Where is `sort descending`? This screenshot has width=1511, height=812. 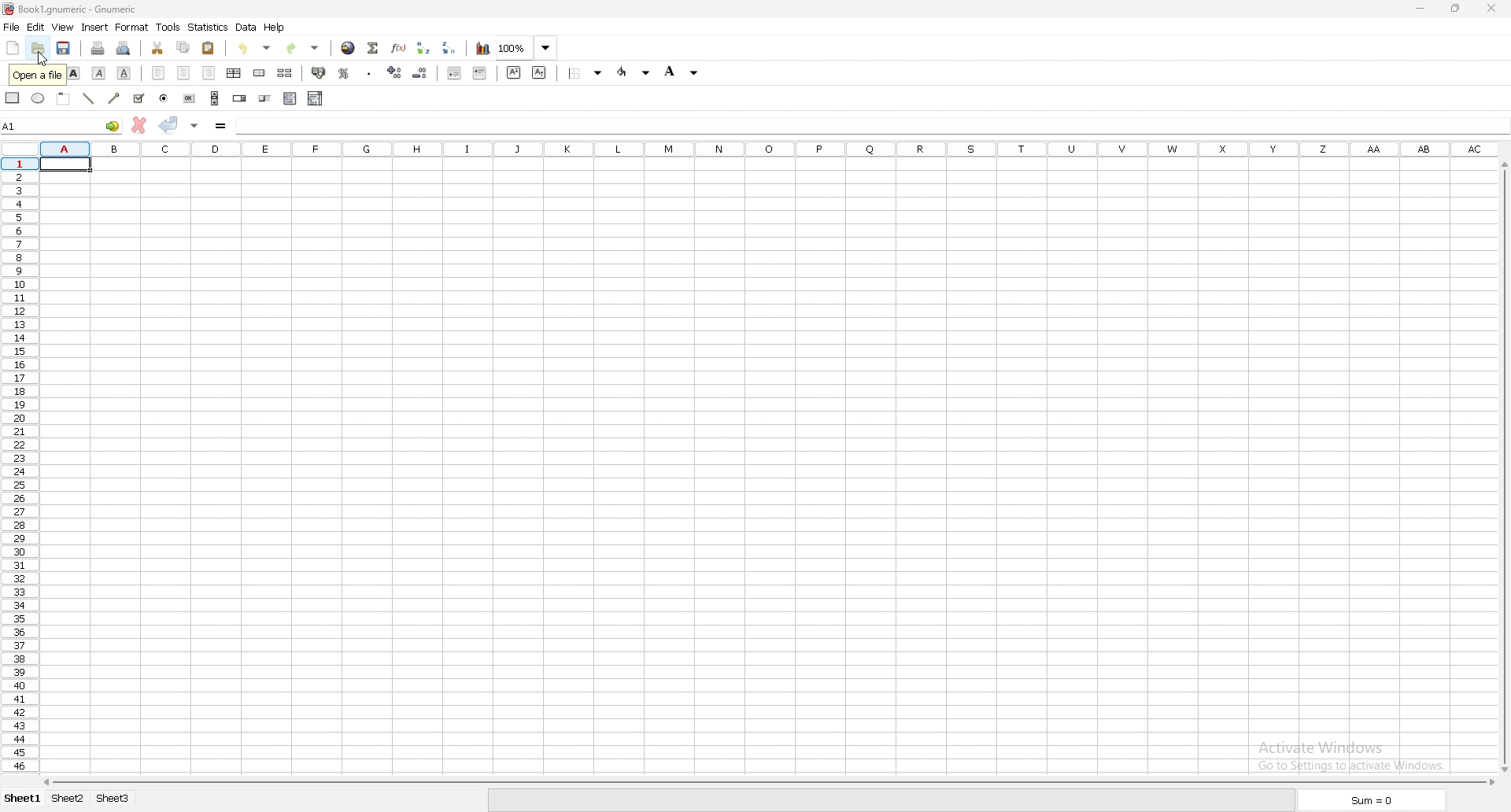
sort descending is located at coordinates (450, 46).